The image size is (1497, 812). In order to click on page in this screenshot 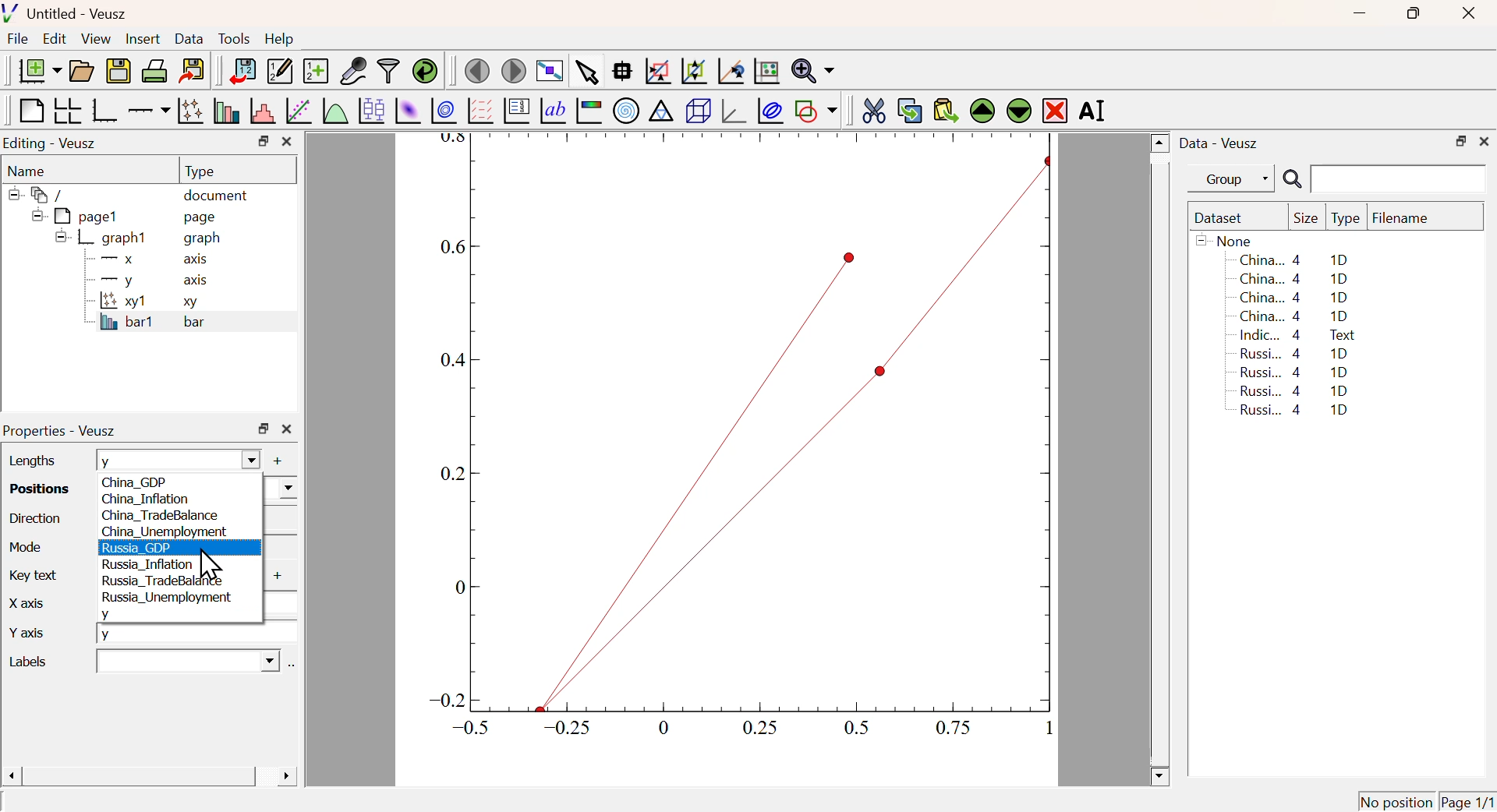, I will do `click(203, 217)`.